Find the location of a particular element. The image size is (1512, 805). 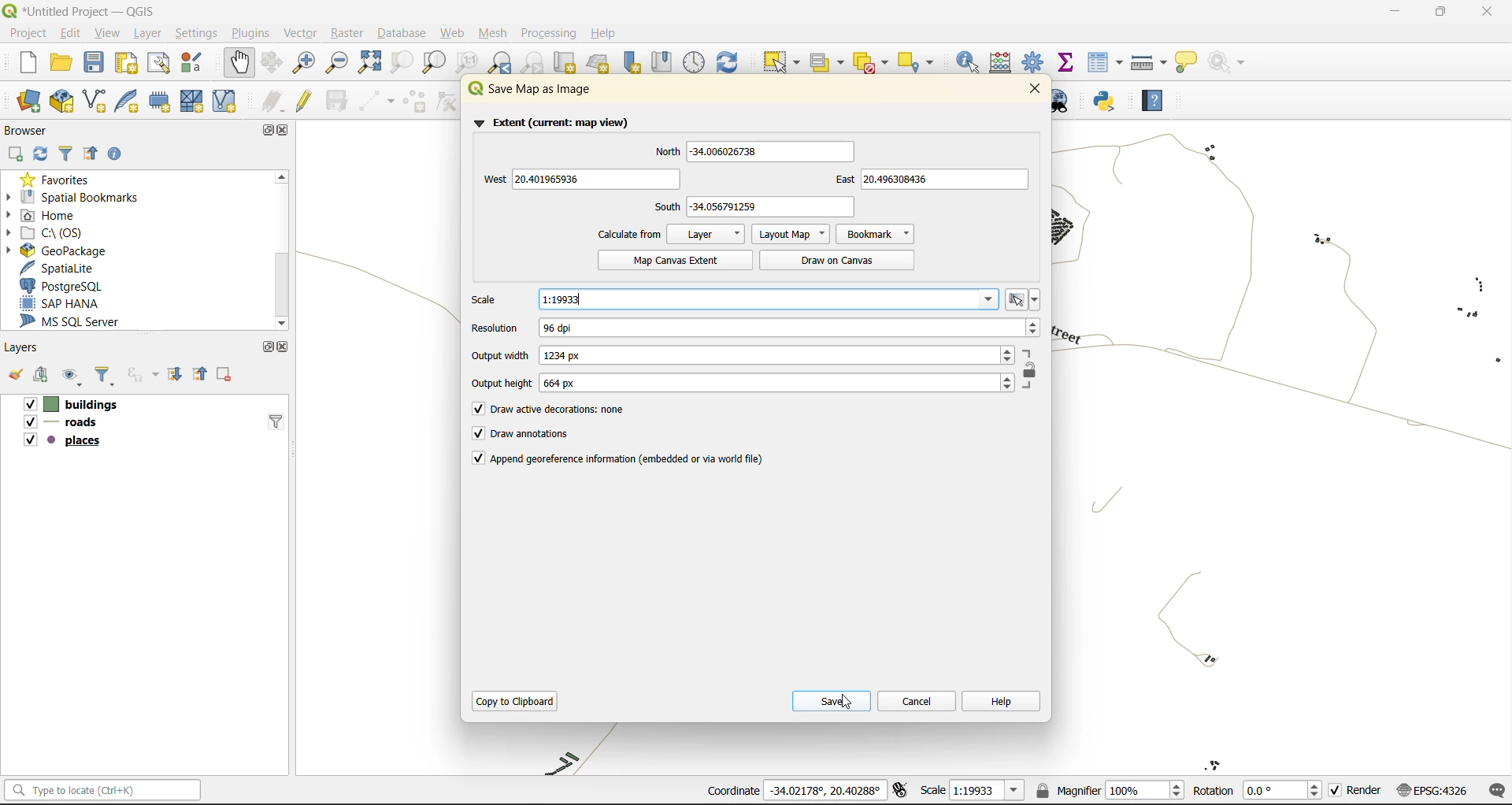

view is located at coordinates (104, 32).